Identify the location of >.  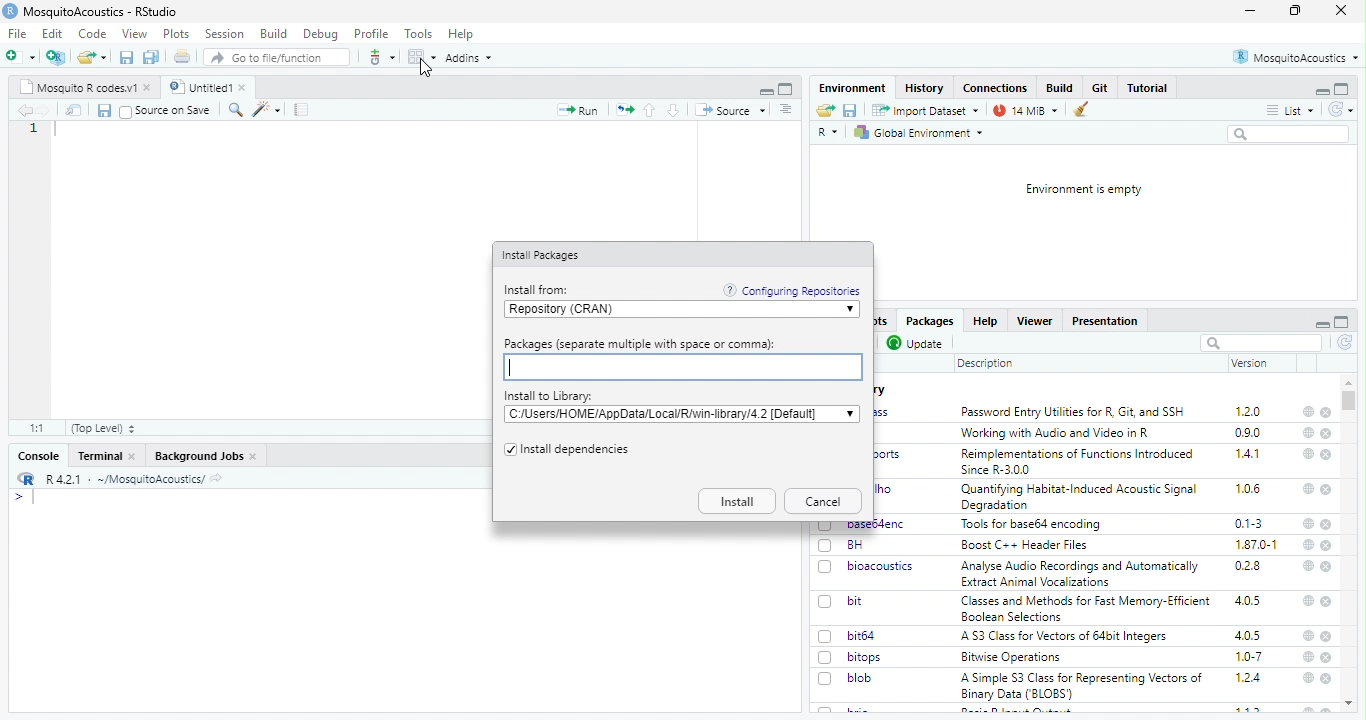
(18, 497).